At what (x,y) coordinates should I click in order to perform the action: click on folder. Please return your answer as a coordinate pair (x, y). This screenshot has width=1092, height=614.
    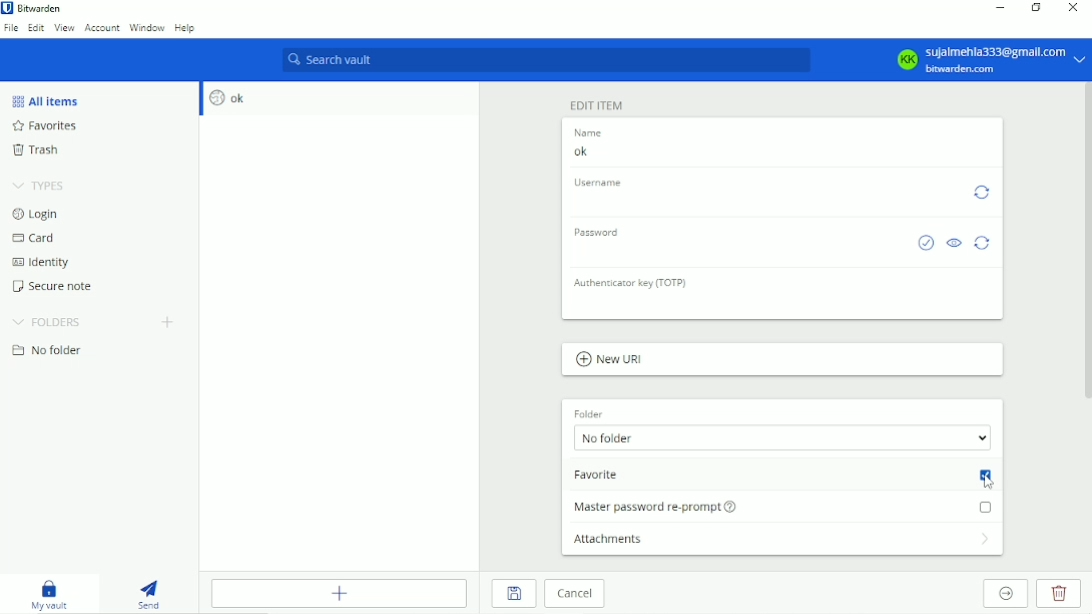
    Looking at the image, I should click on (589, 414).